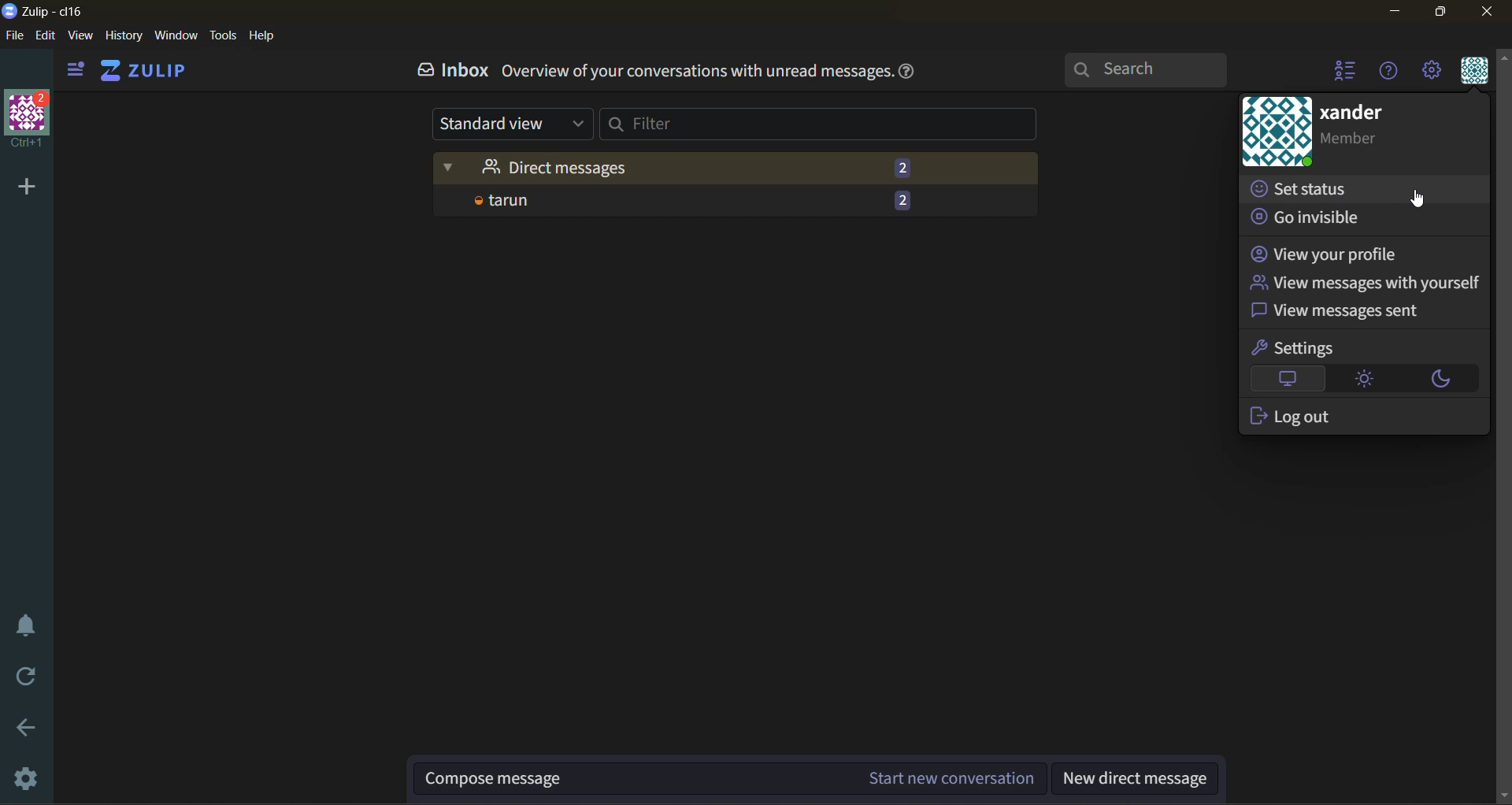  Describe the element at coordinates (726, 200) in the screenshot. I see `tarun` at that location.